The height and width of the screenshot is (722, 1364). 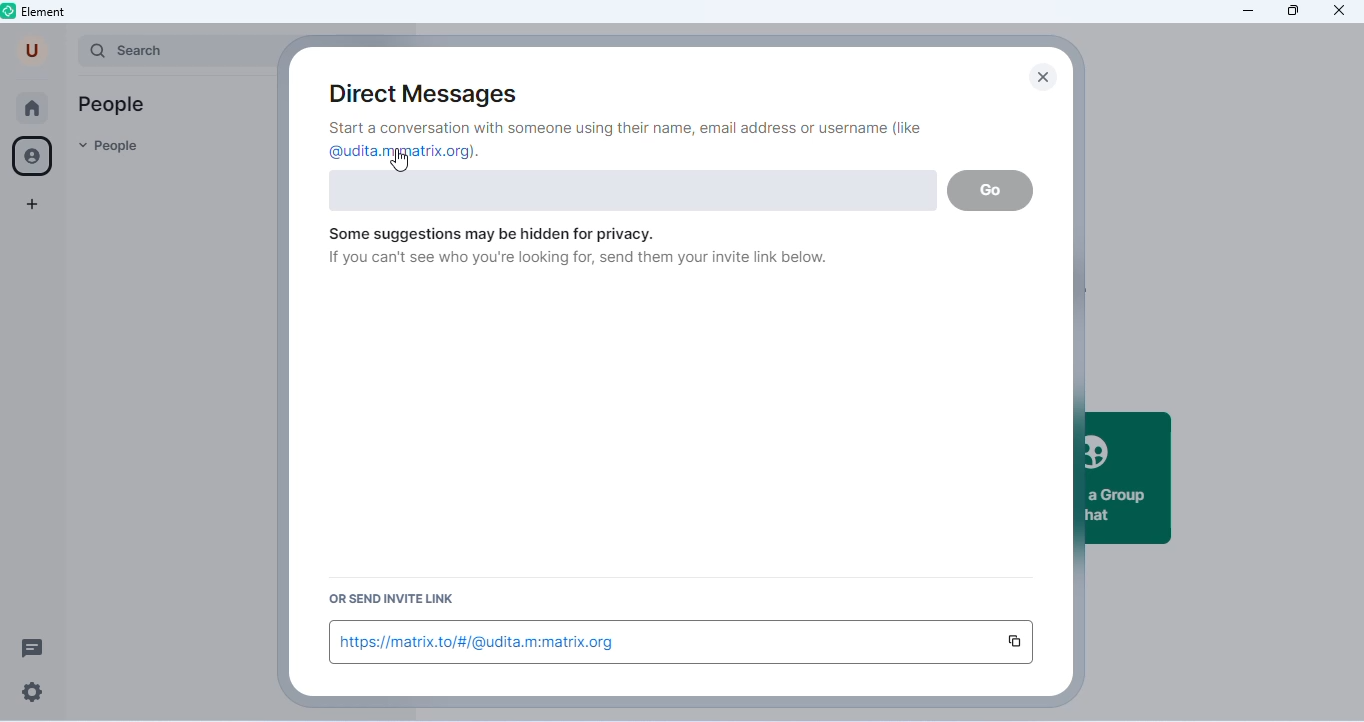 I want to click on Element, so click(x=36, y=12).